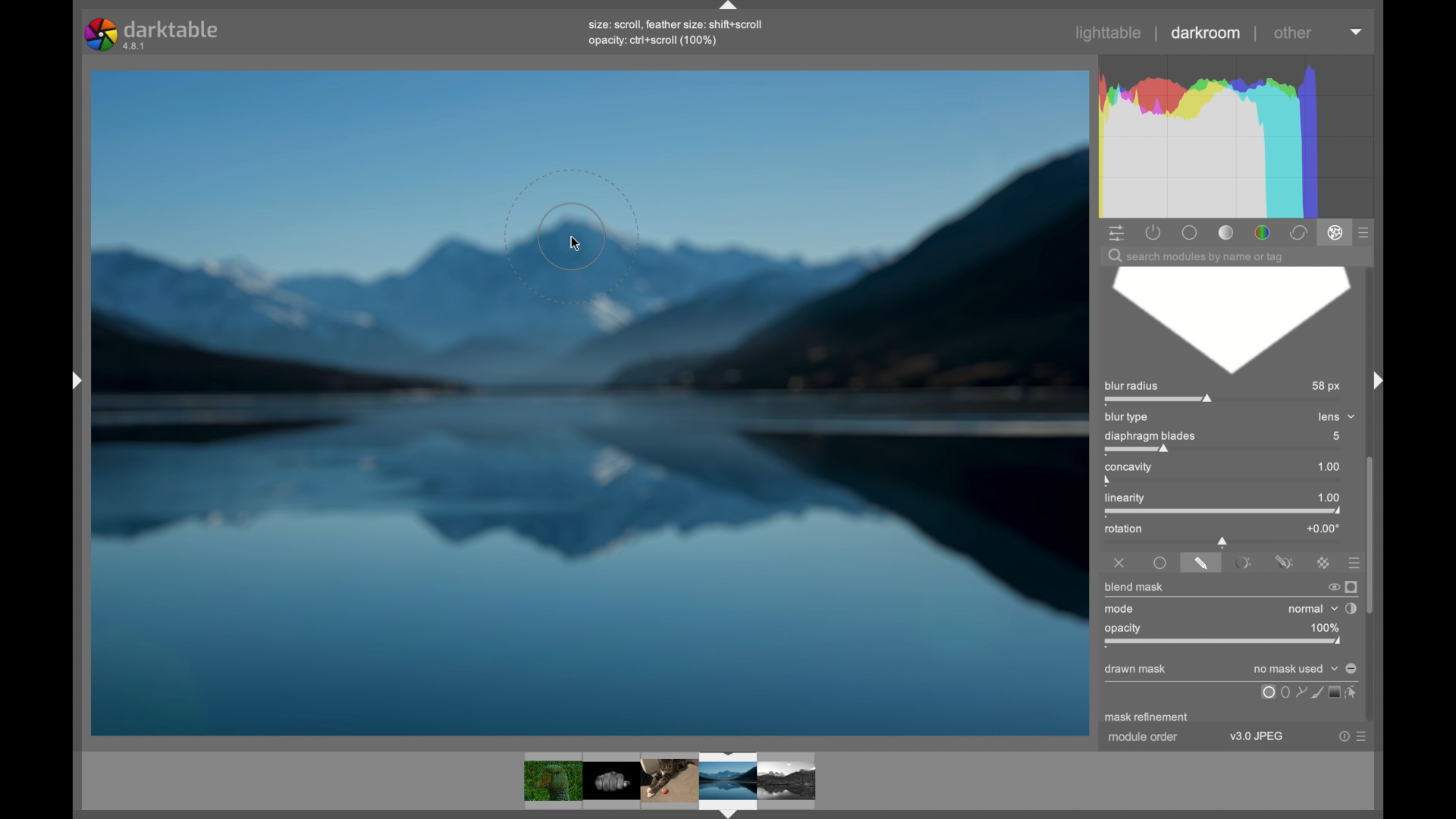 The height and width of the screenshot is (819, 1456). Describe the element at coordinates (1116, 232) in the screenshot. I see `show quick access  panel` at that location.